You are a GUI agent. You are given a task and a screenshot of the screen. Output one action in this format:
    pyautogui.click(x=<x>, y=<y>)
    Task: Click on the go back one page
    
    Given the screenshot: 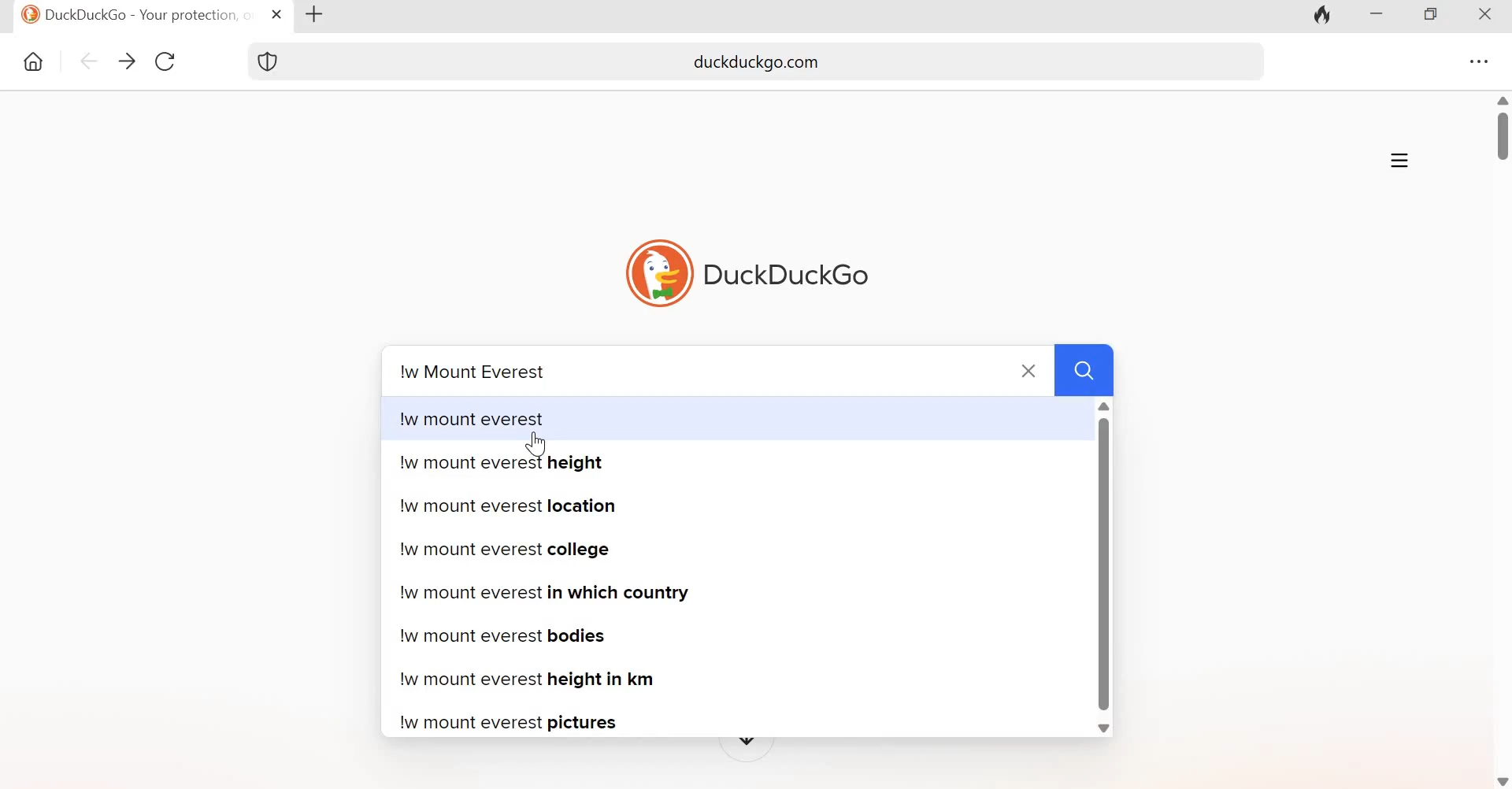 What is the action you would take?
    pyautogui.click(x=87, y=61)
    